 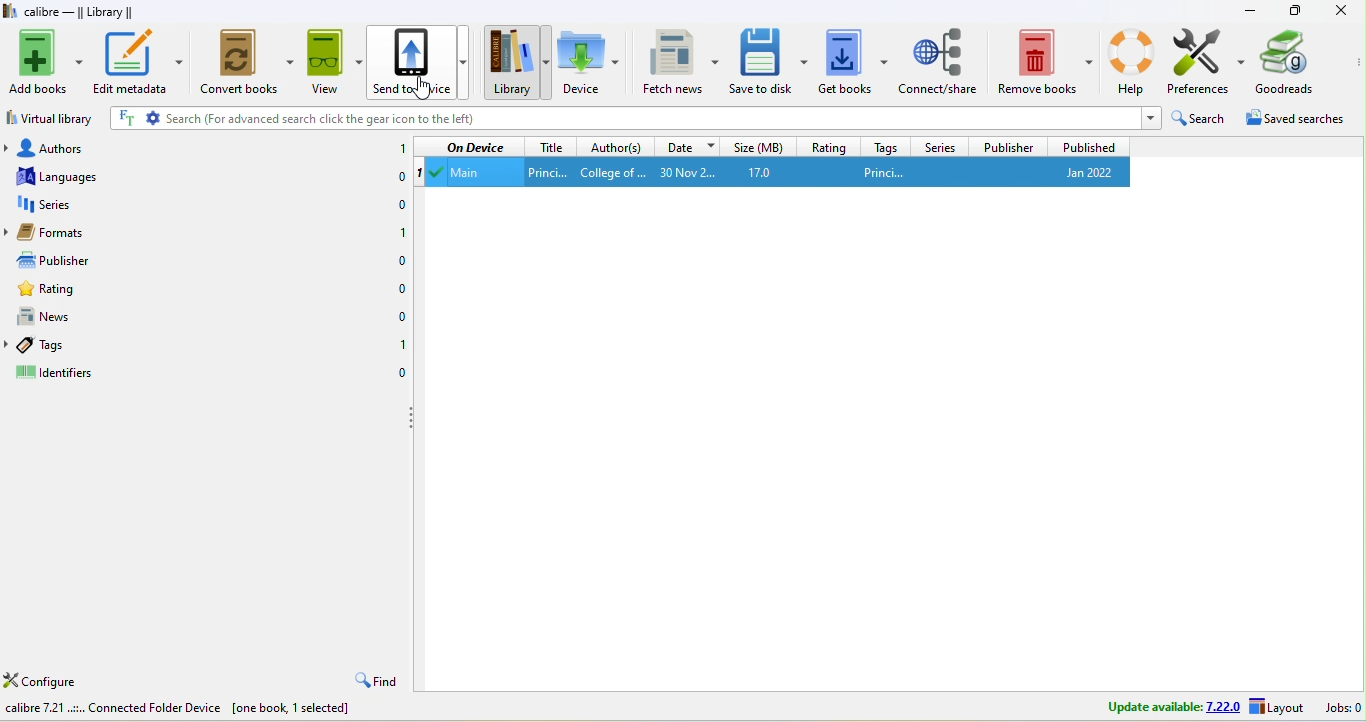 What do you see at coordinates (424, 91) in the screenshot?
I see `cursor` at bounding box center [424, 91].